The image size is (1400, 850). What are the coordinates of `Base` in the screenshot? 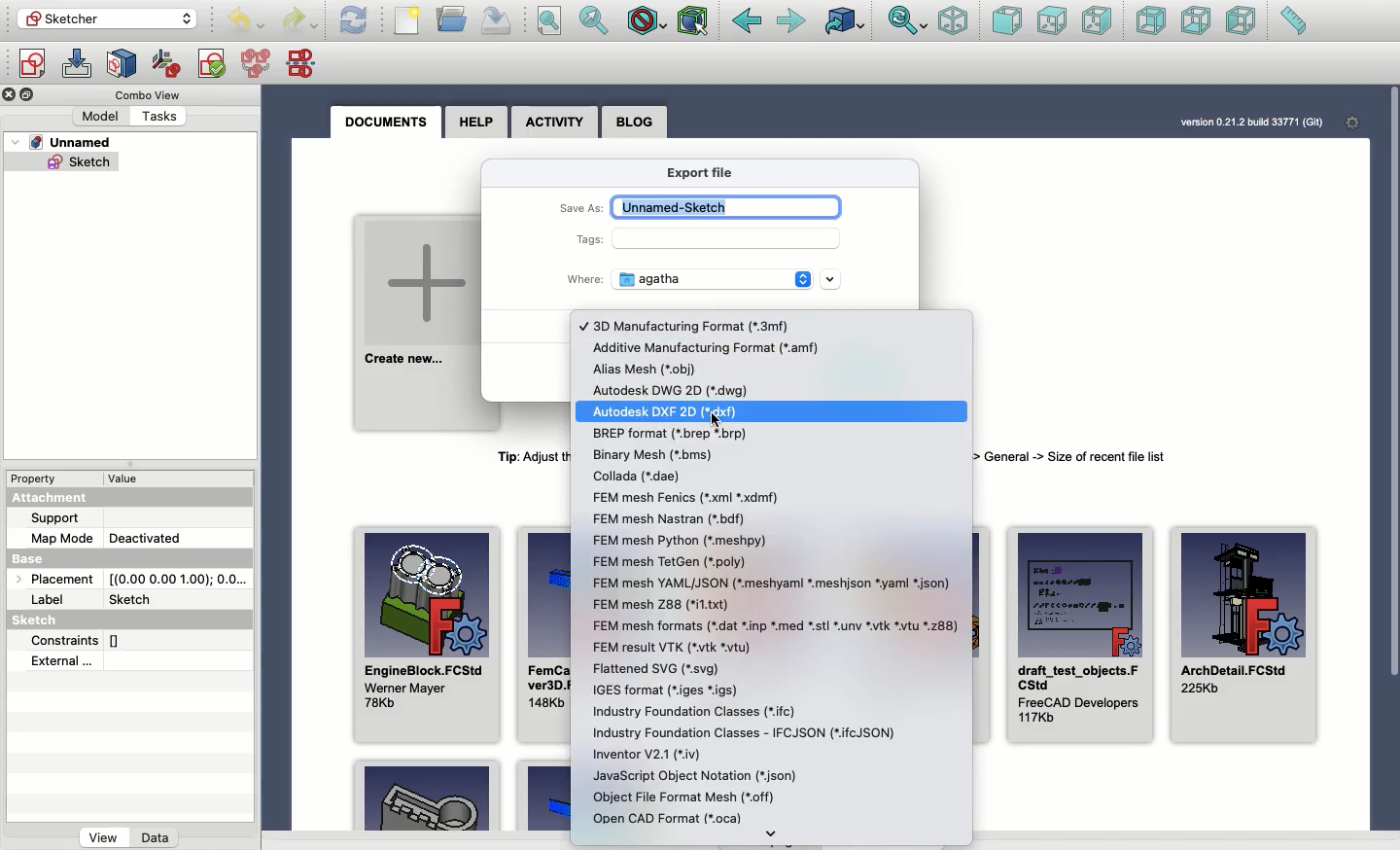 It's located at (34, 560).